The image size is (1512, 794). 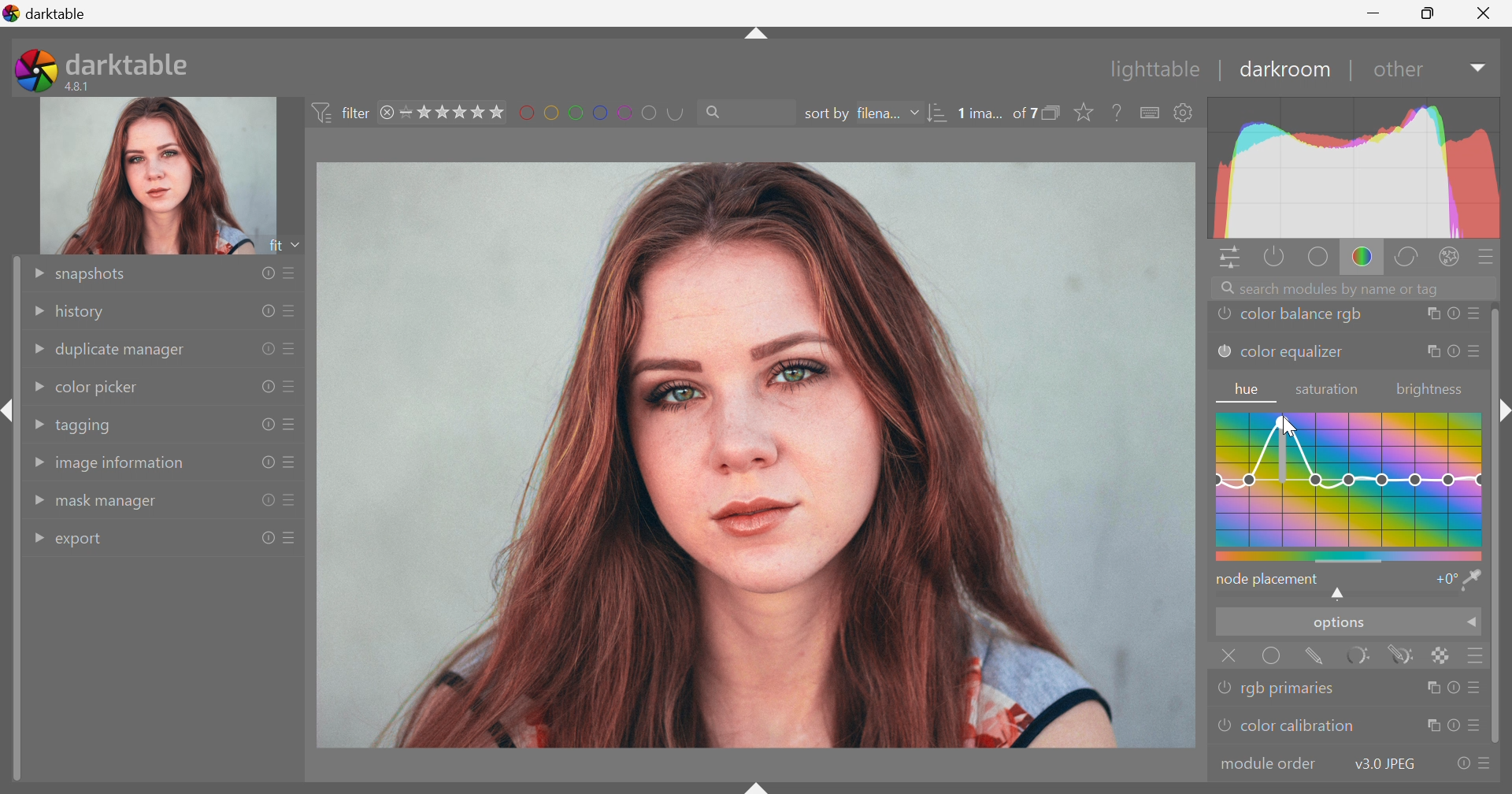 I want to click on darktable, so click(x=130, y=61).